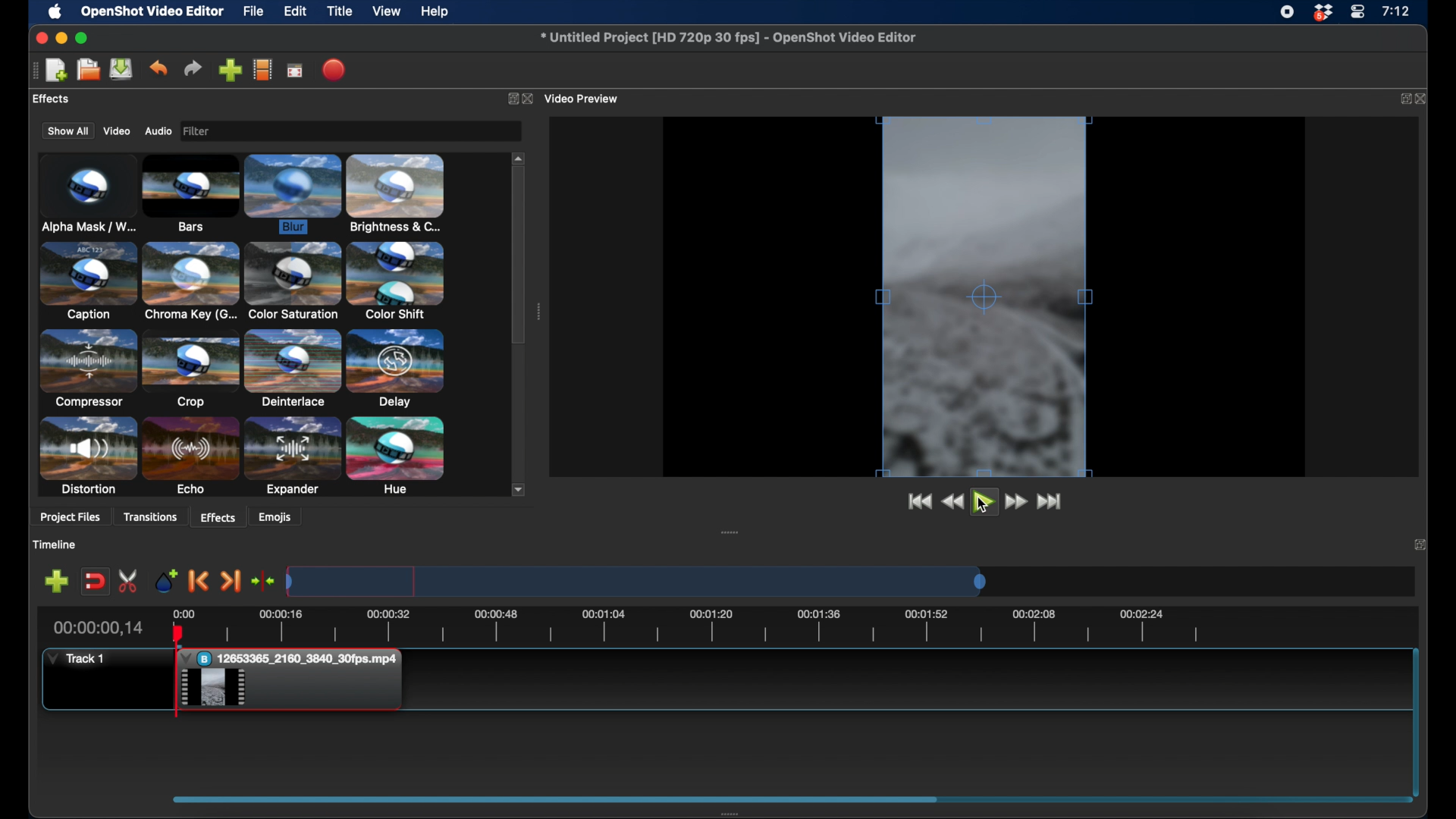  Describe the element at coordinates (1357, 12) in the screenshot. I see `control center` at that location.